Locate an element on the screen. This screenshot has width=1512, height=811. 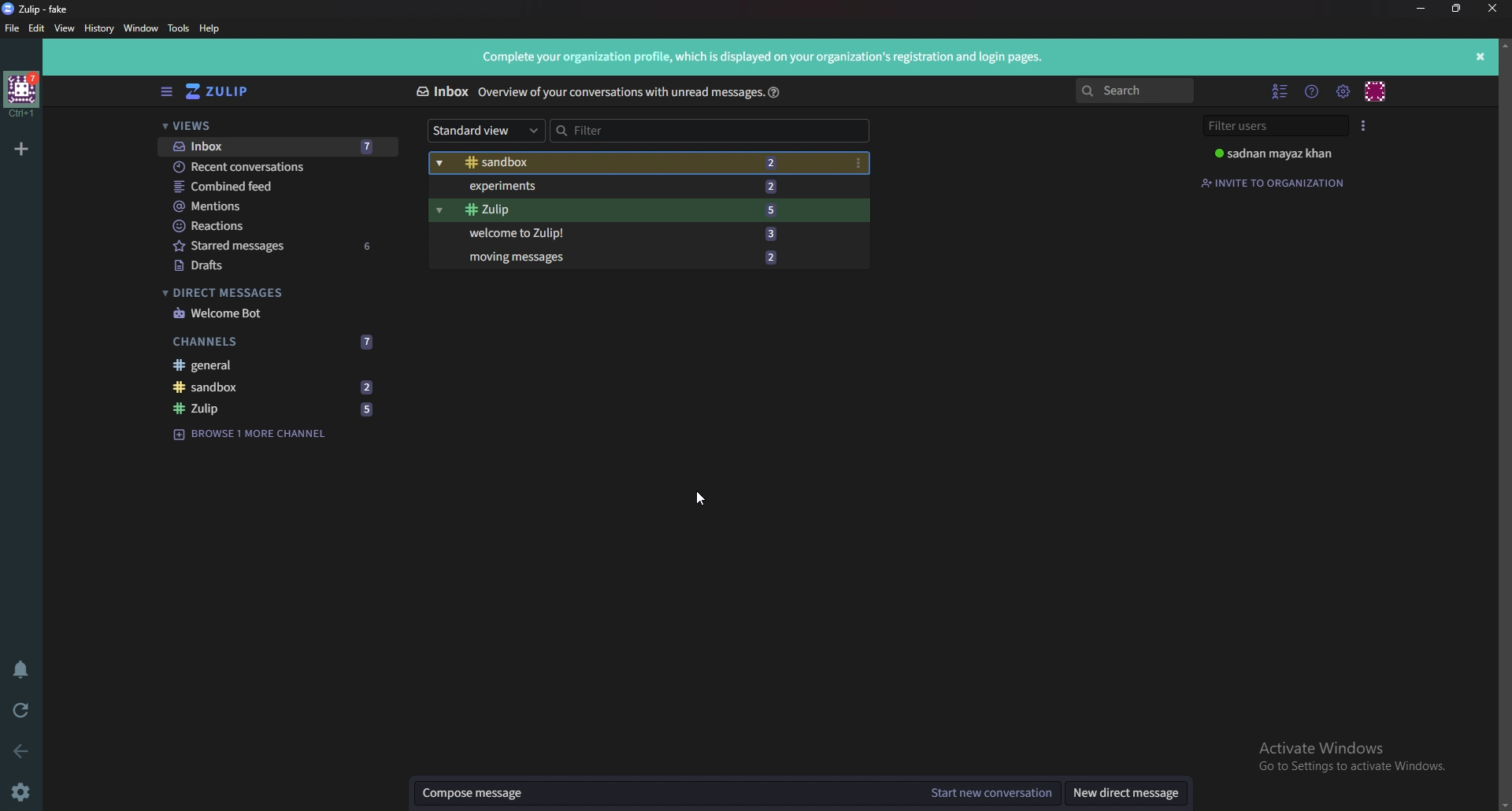
Moving messages is located at coordinates (628, 257).